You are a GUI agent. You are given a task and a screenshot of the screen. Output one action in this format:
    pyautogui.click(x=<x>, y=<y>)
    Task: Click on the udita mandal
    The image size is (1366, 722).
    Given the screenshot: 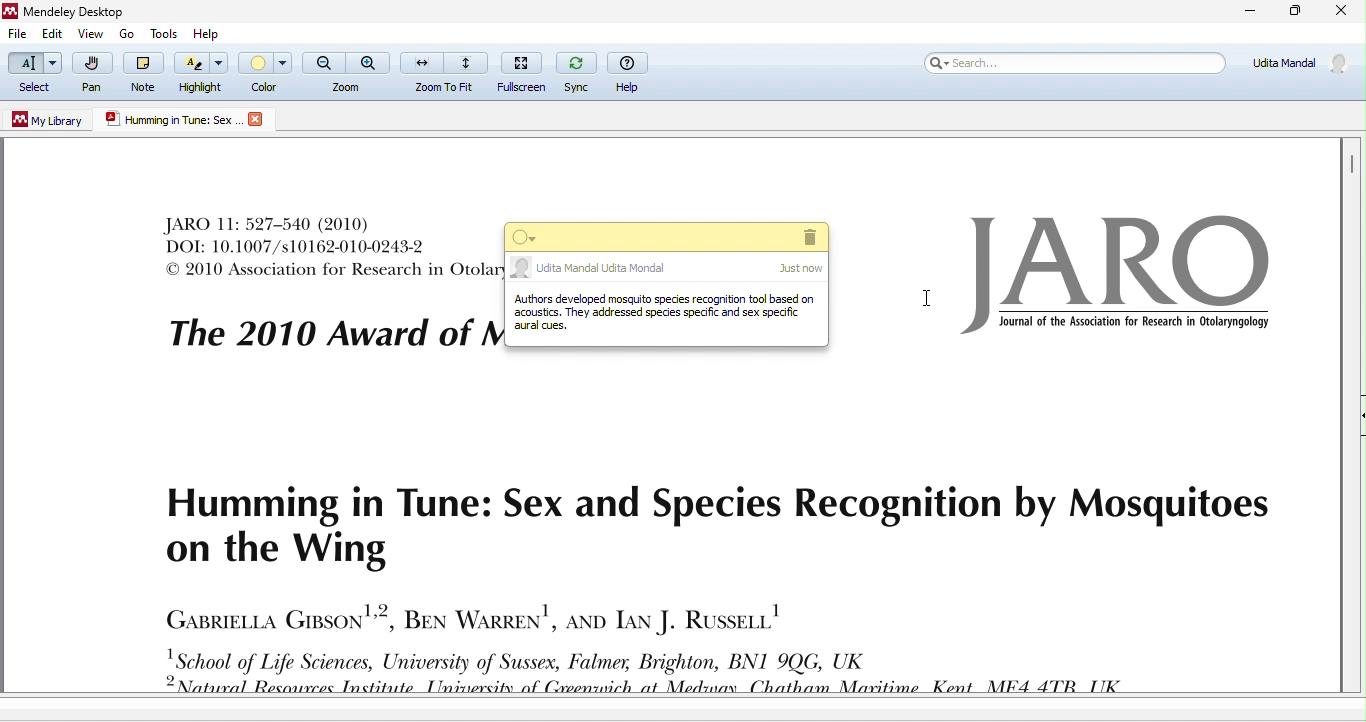 What is the action you would take?
    pyautogui.click(x=668, y=269)
    